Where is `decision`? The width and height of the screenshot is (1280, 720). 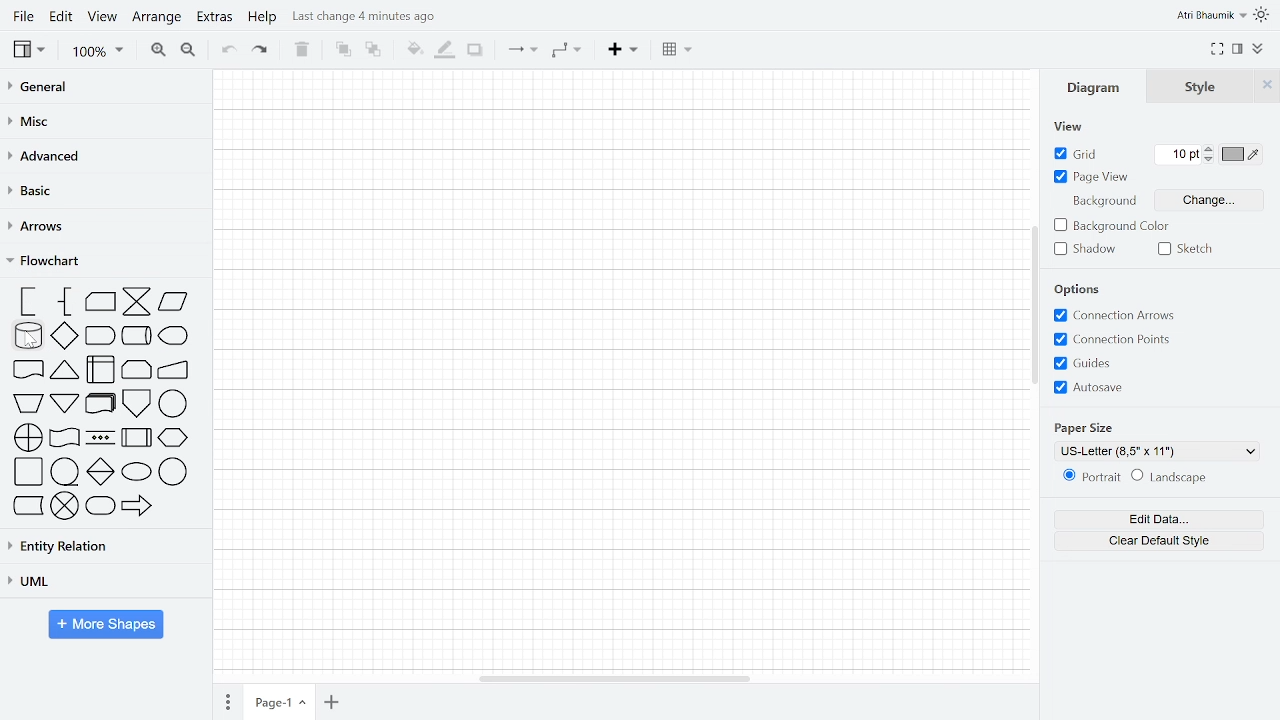
decision is located at coordinates (66, 336).